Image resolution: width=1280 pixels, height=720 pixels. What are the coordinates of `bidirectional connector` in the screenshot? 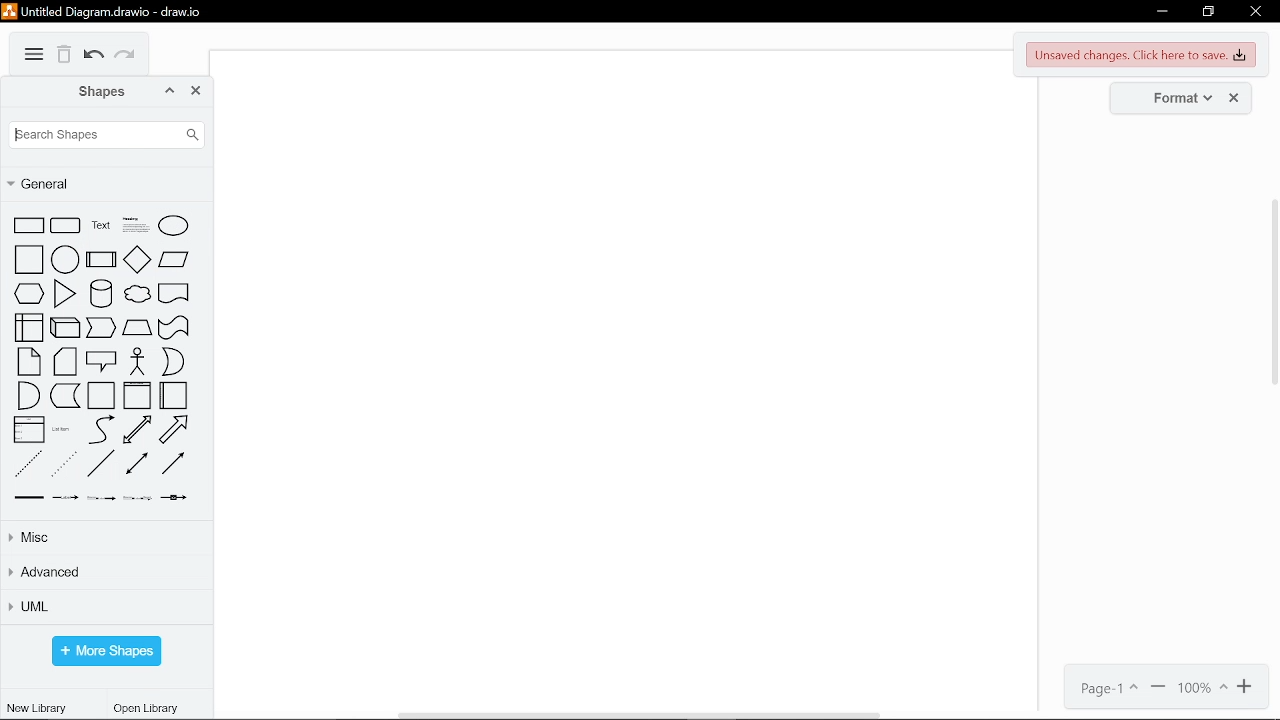 It's located at (136, 465).